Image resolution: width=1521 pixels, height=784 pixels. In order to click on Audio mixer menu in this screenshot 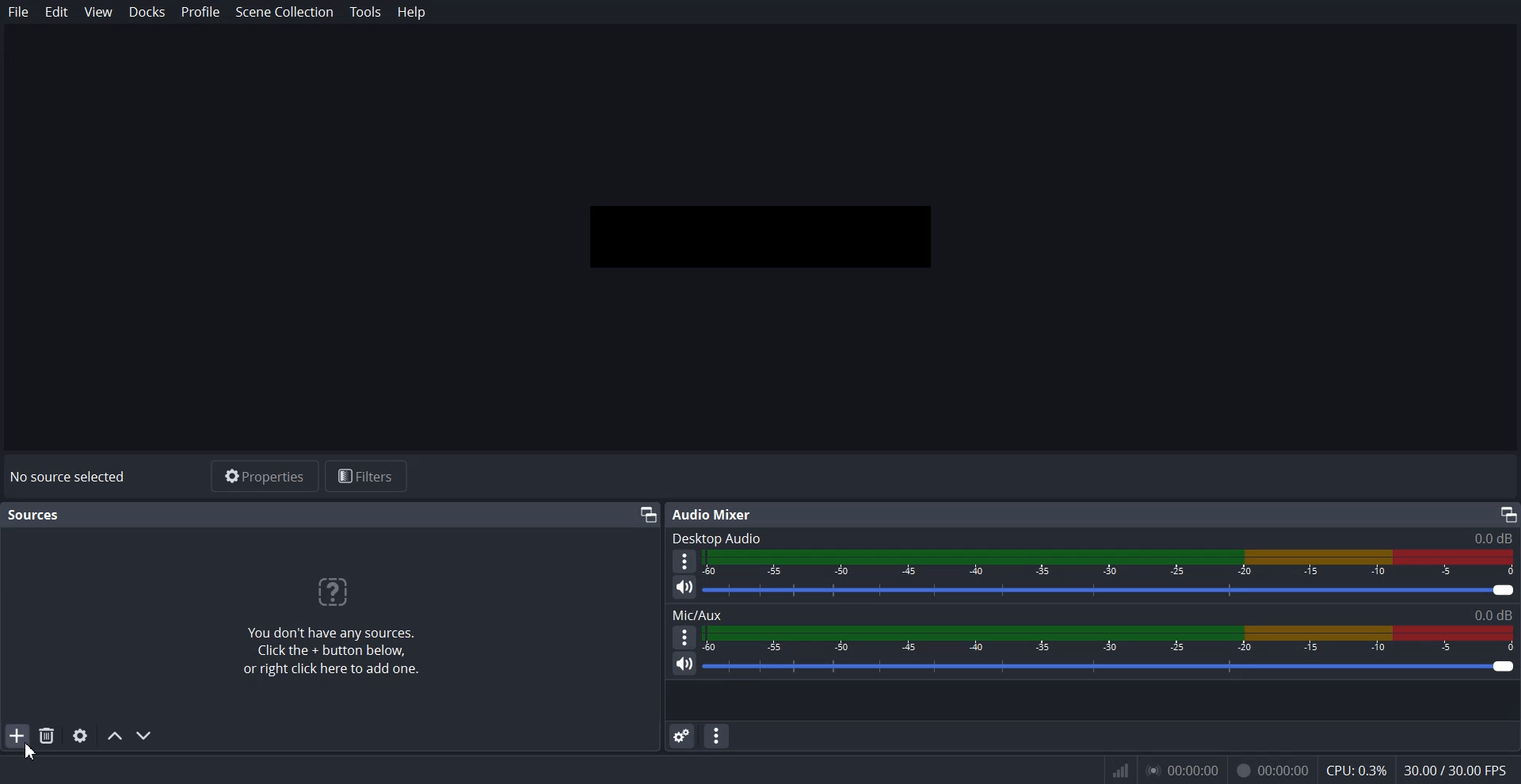, I will do `click(716, 736)`.